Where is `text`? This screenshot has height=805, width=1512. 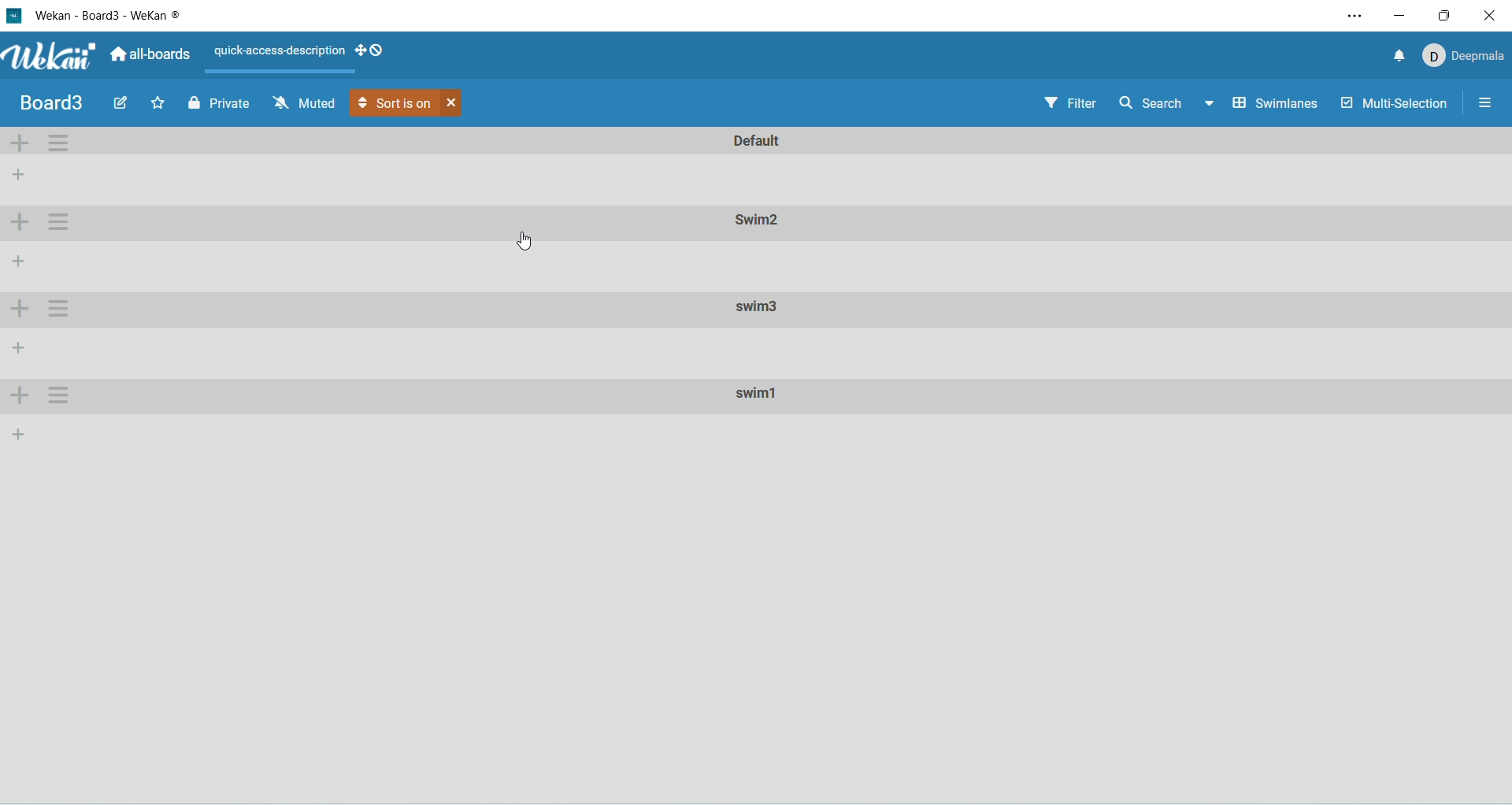 text is located at coordinates (278, 48).